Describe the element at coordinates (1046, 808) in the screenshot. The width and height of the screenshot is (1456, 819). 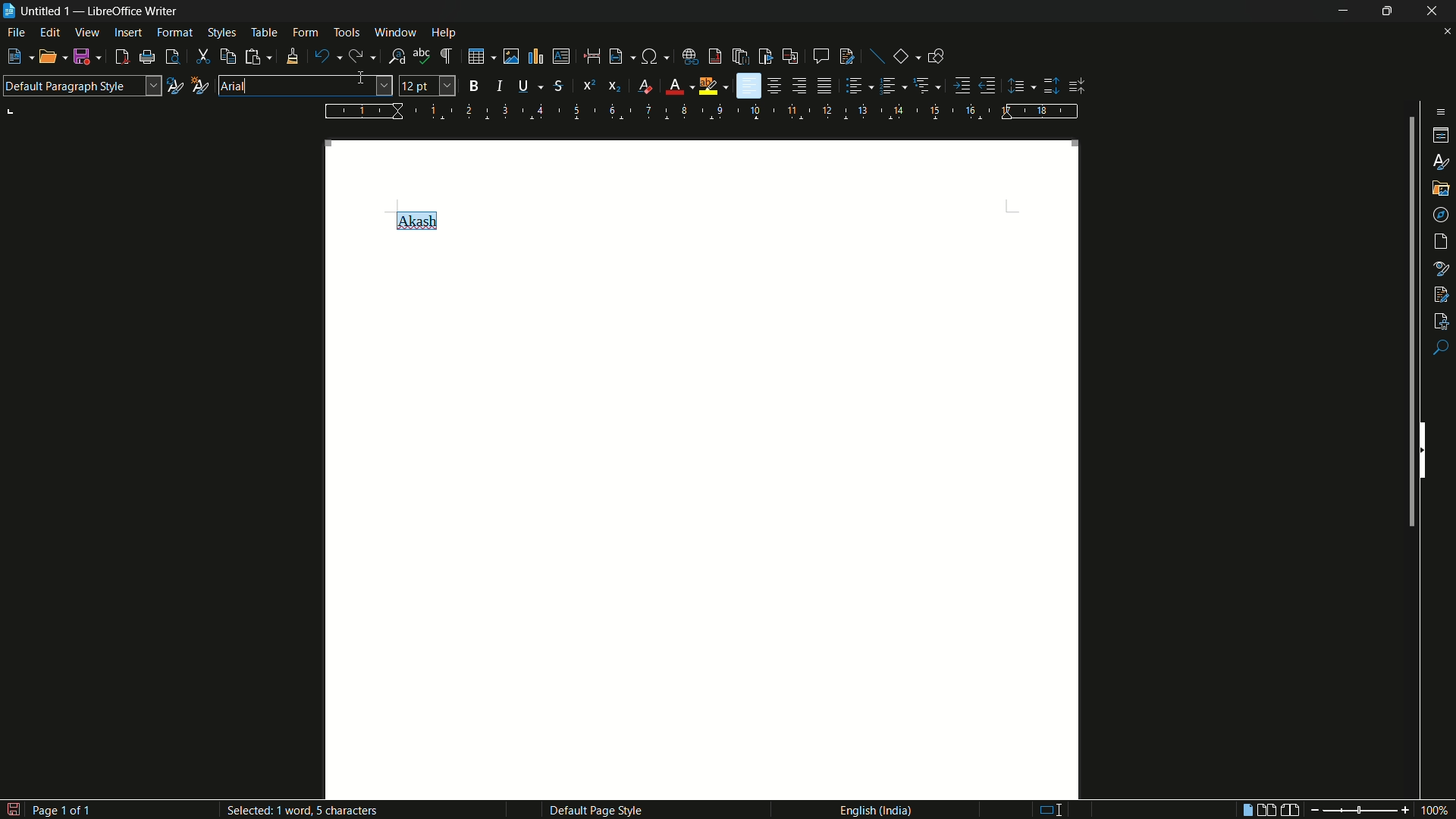
I see `Type` at that location.